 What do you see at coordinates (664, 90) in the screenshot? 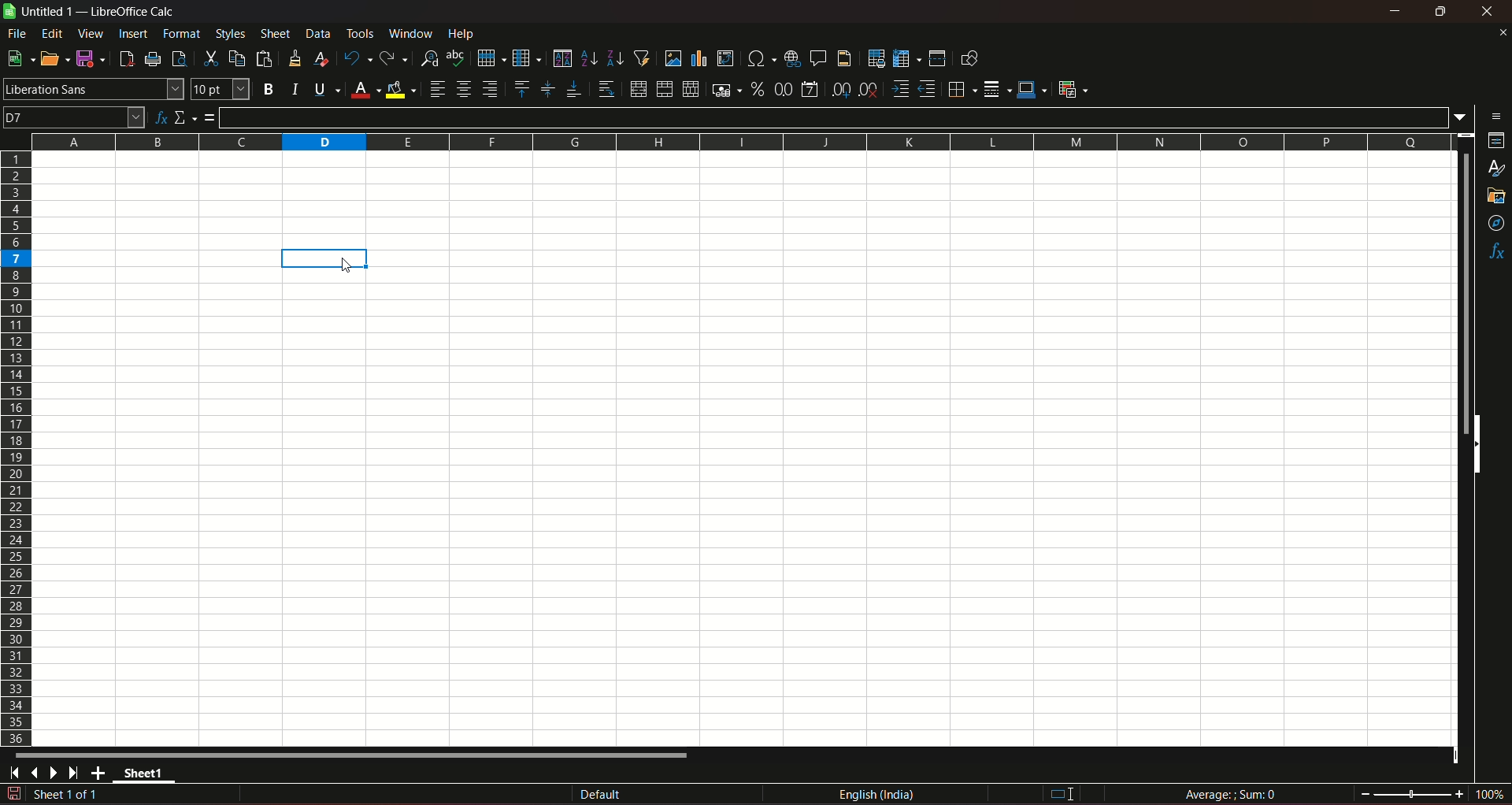
I see `merge` at bounding box center [664, 90].